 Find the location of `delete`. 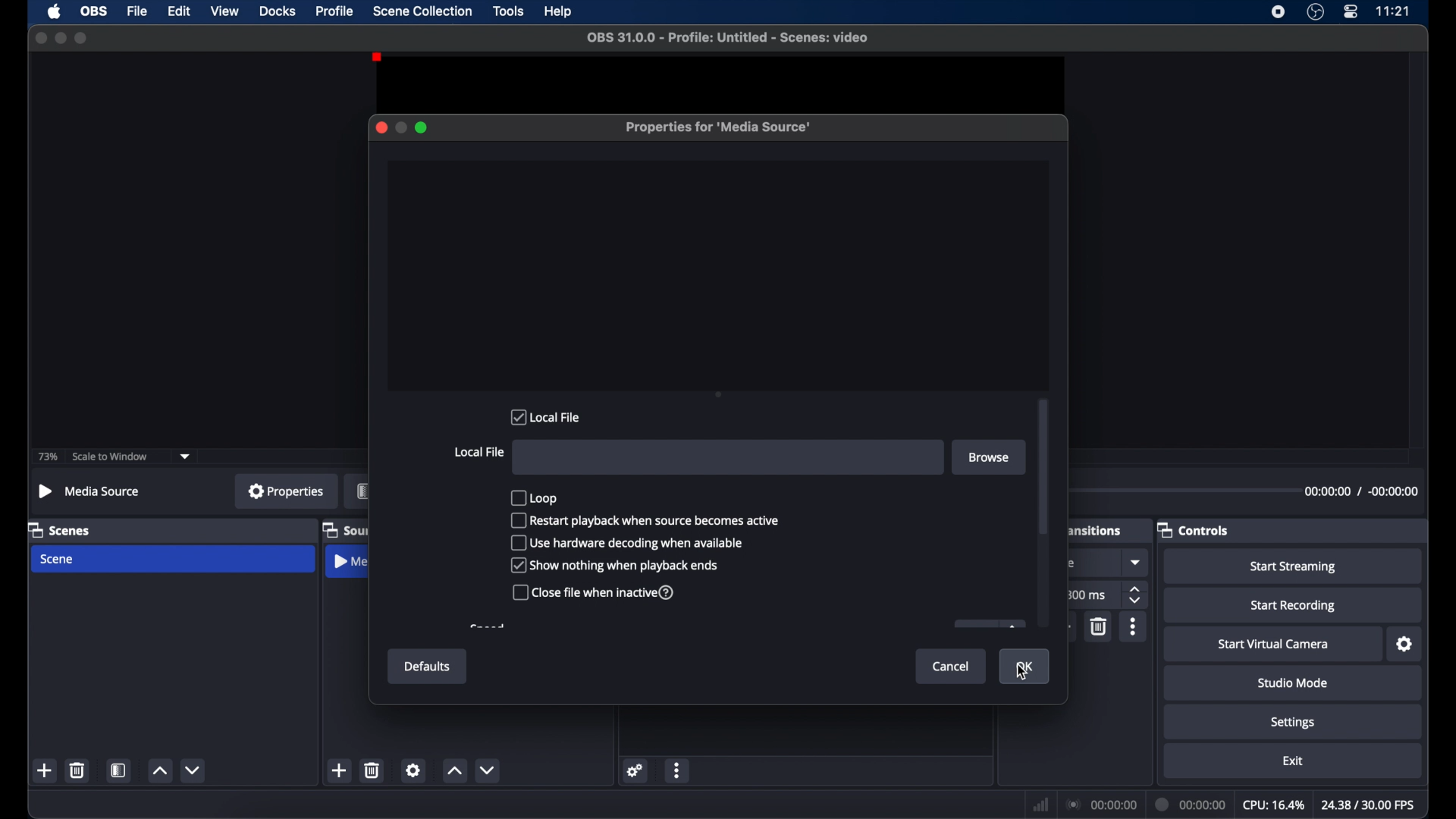

delete is located at coordinates (373, 770).